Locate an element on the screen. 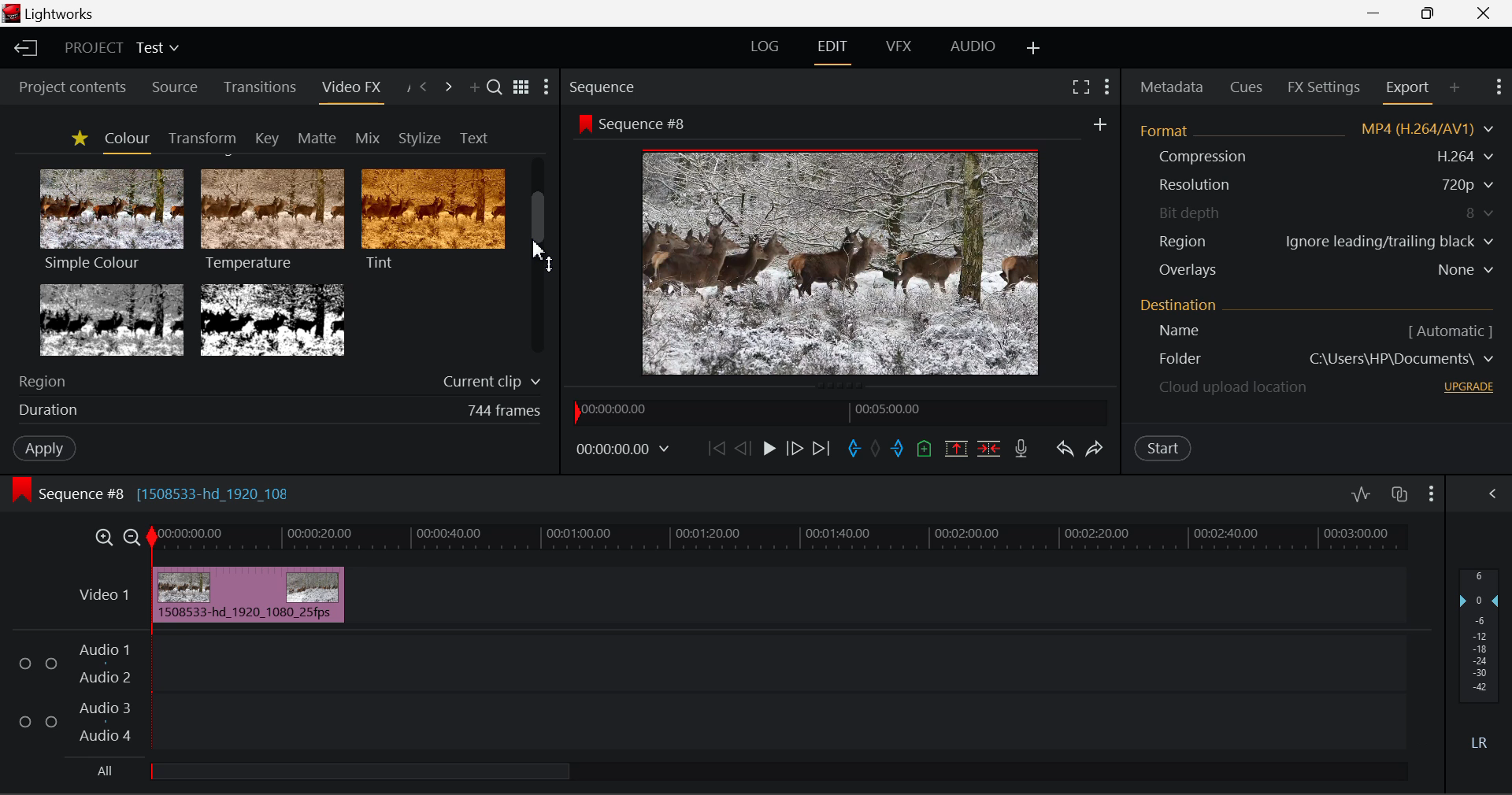  Redo is located at coordinates (1098, 449).